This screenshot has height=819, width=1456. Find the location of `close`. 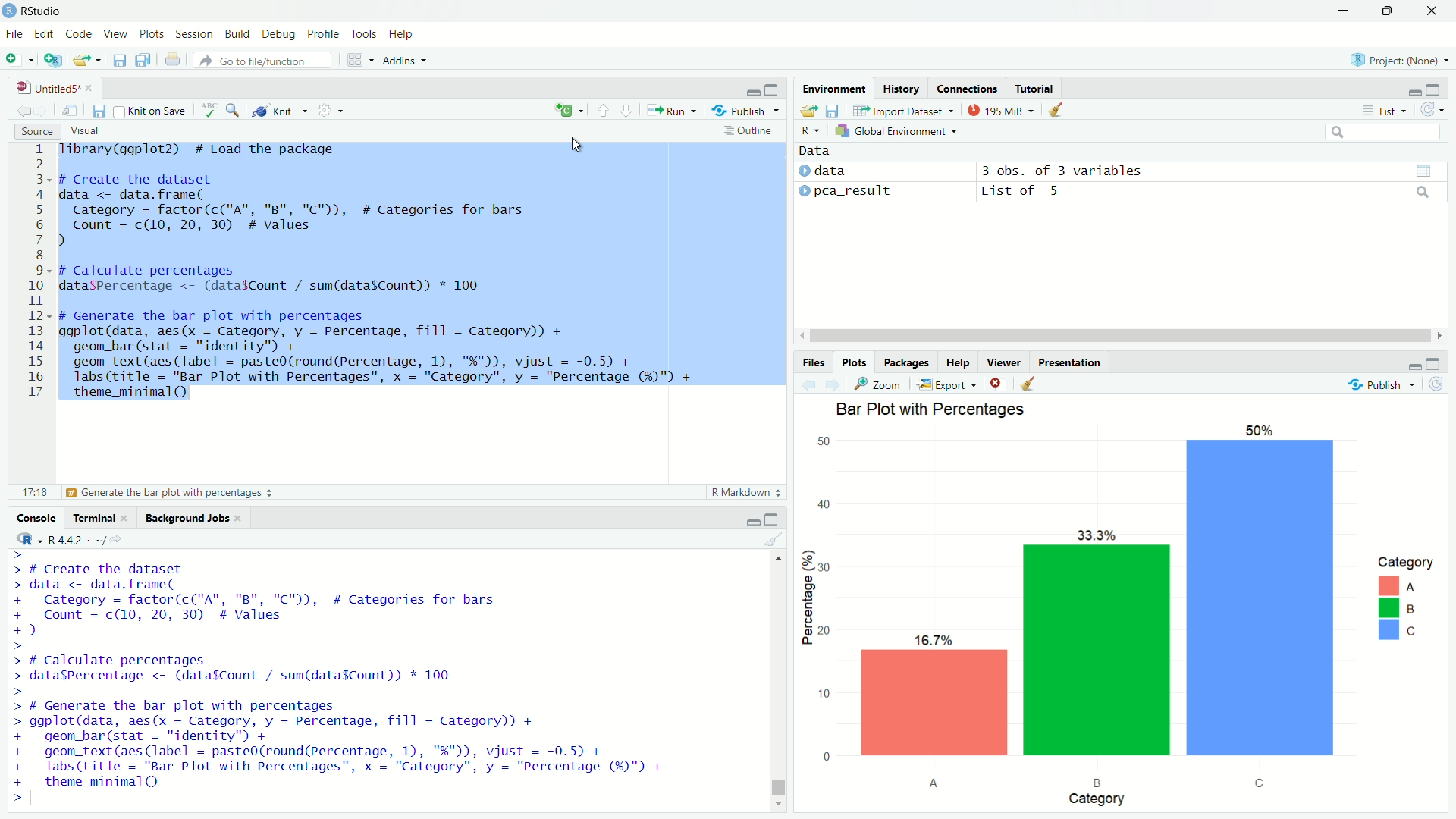

close is located at coordinates (1433, 11).